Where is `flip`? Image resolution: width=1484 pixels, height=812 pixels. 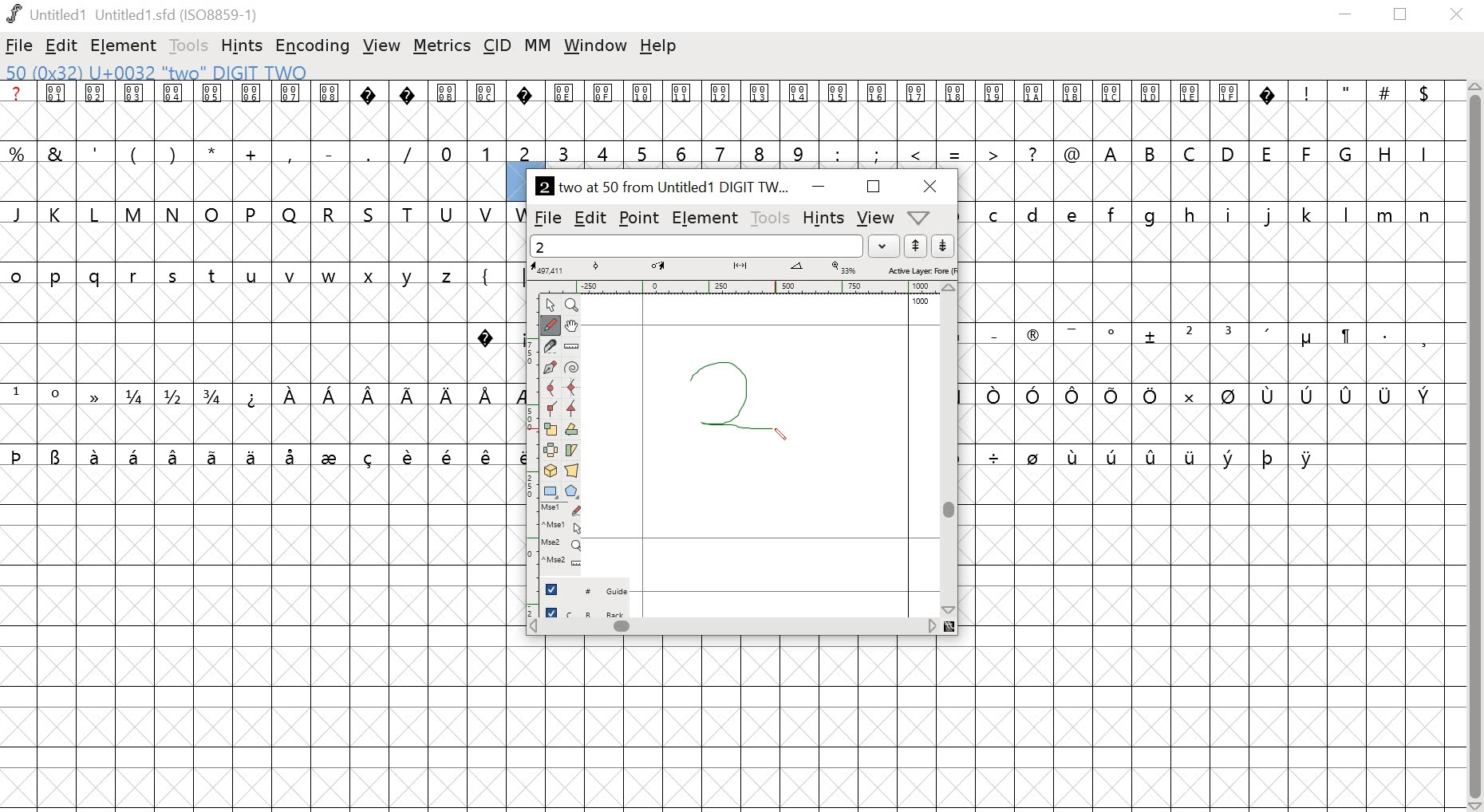
flip is located at coordinates (551, 451).